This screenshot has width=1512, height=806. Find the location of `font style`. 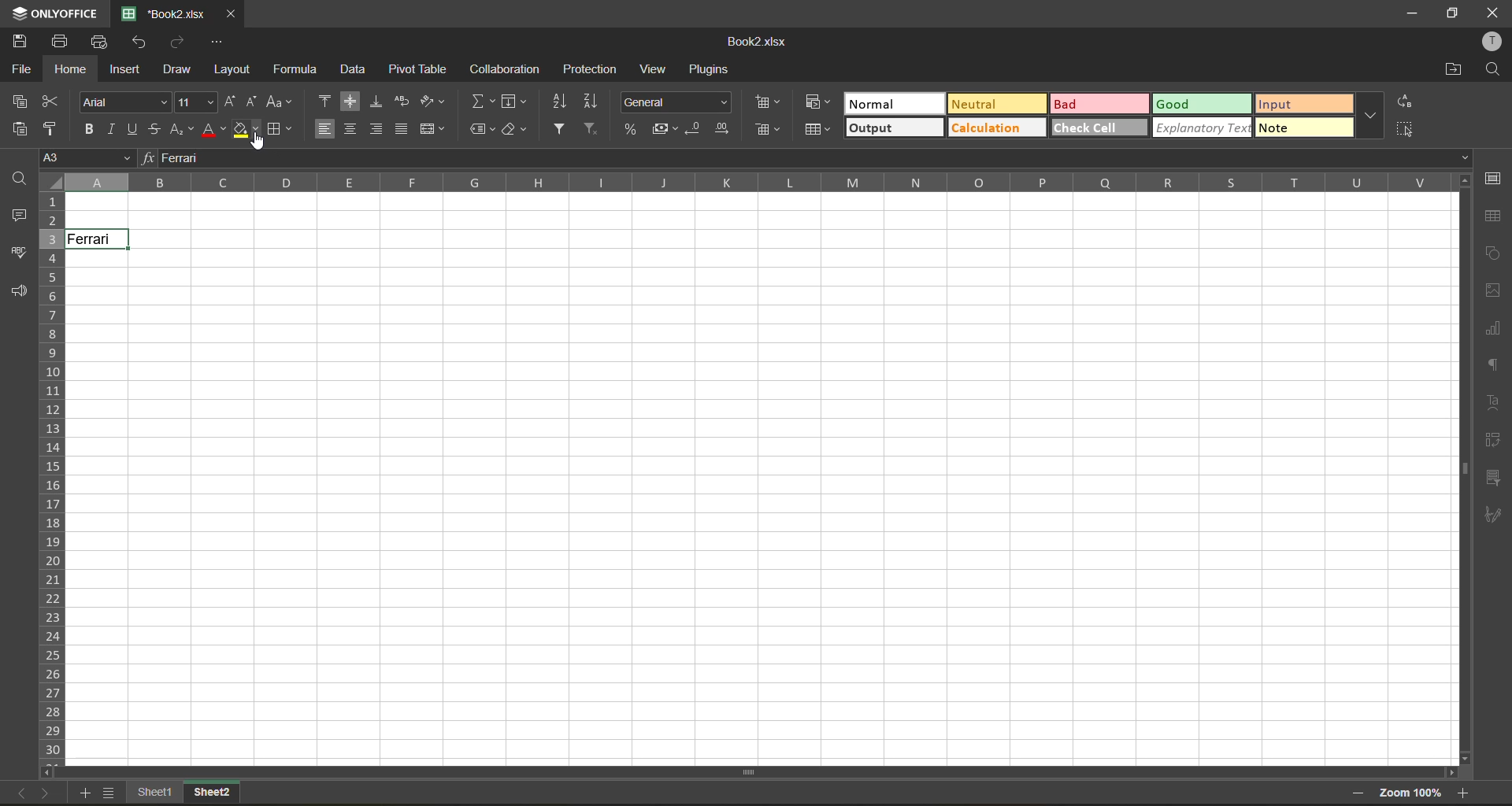

font style is located at coordinates (127, 102).